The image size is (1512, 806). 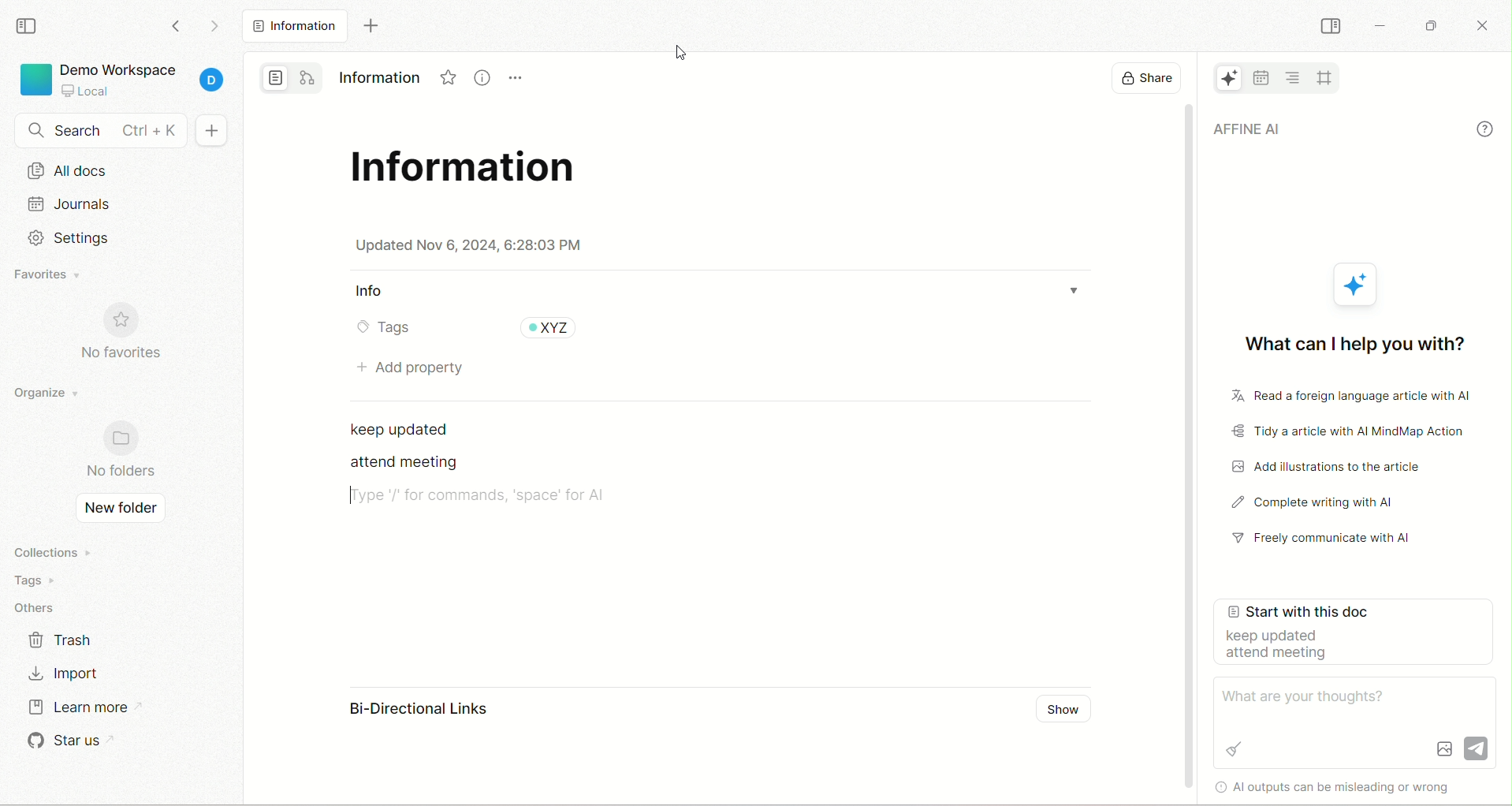 What do you see at coordinates (403, 711) in the screenshot?
I see `bi-directional links` at bounding box center [403, 711].